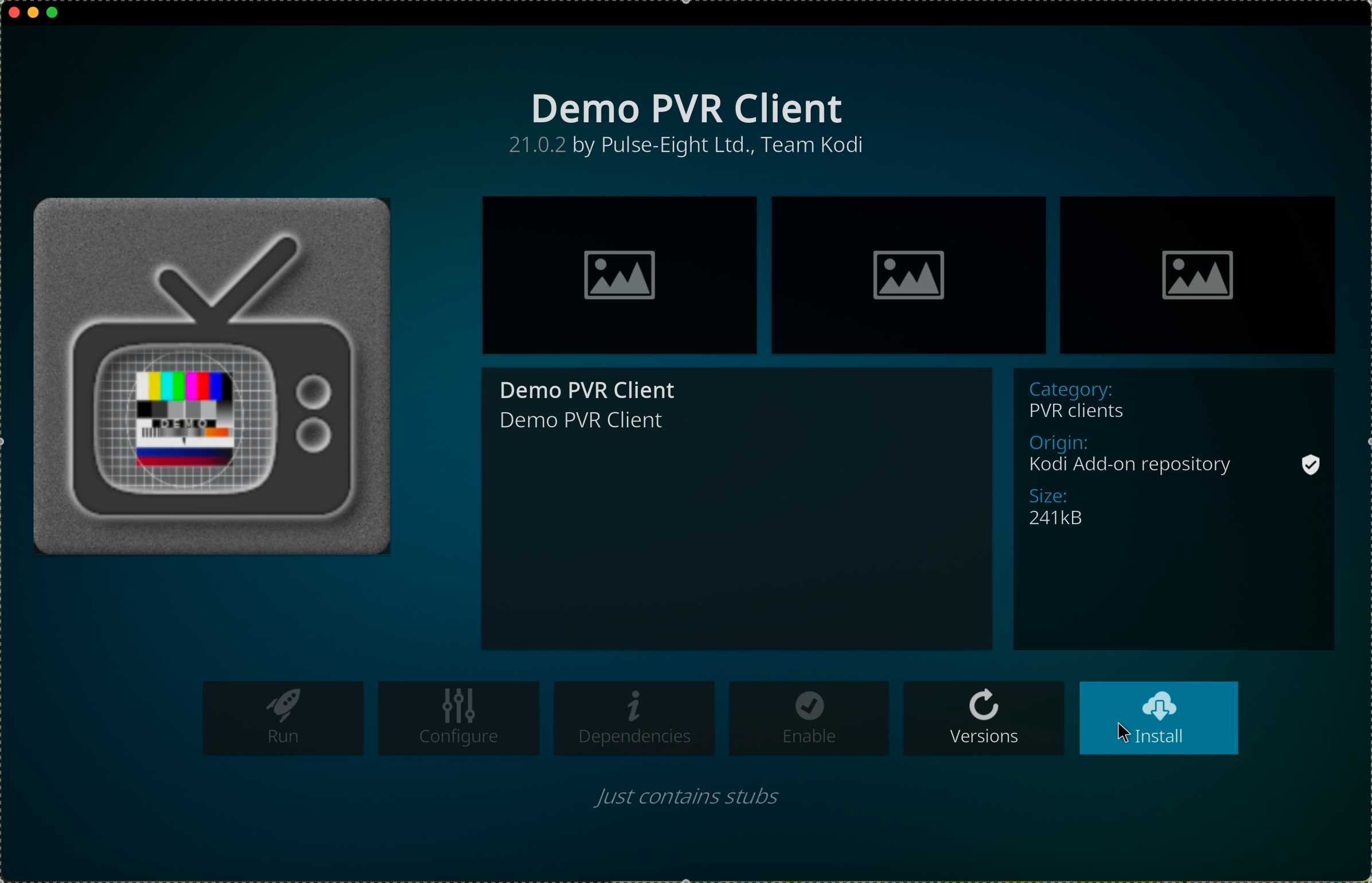  I want to click on maximize, so click(53, 17).